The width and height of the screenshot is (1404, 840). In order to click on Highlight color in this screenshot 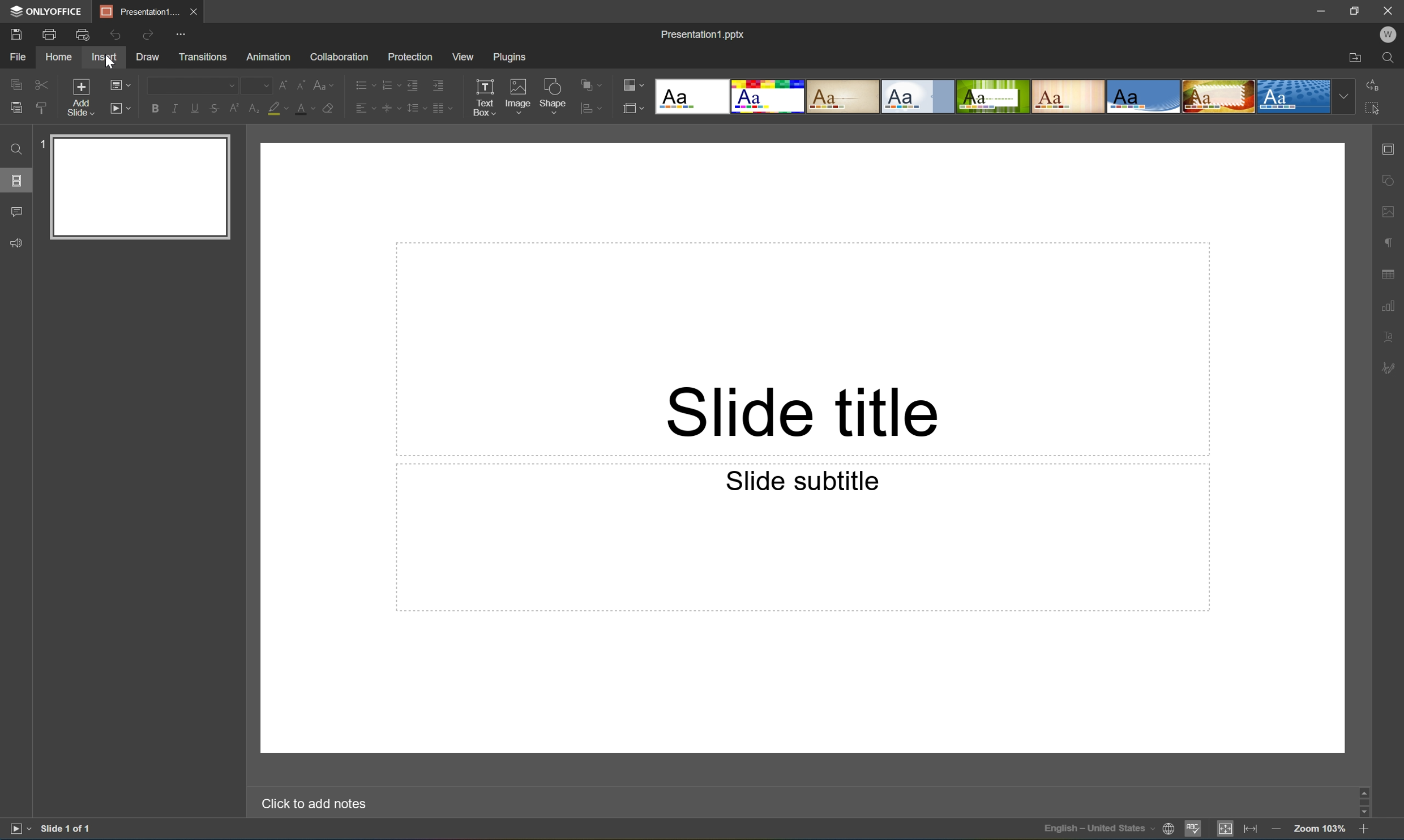, I will do `click(279, 108)`.